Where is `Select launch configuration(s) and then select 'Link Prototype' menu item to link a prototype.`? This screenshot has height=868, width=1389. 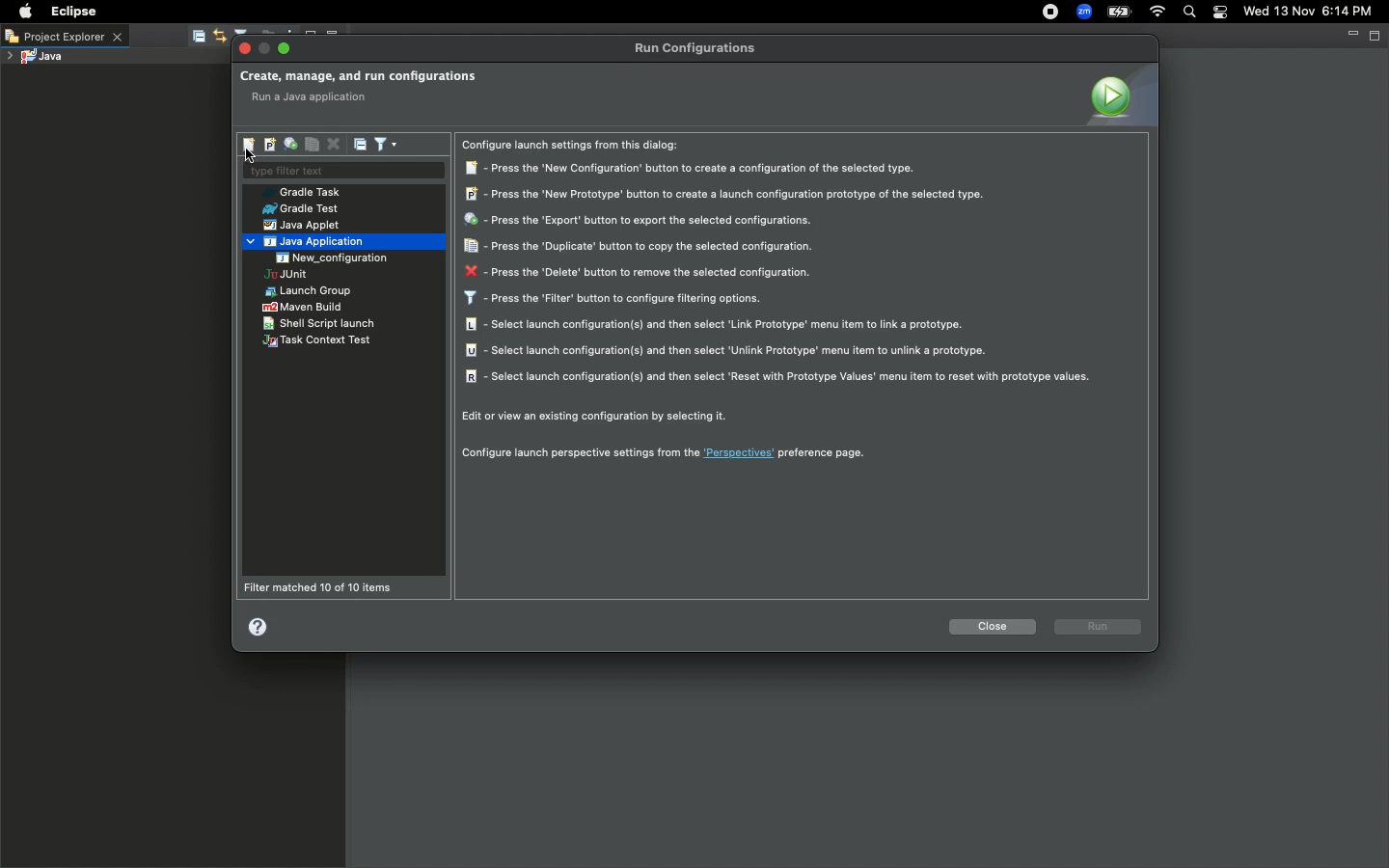 Select launch configuration(s) and then select 'Link Prototype' menu item to link a prototype. is located at coordinates (718, 327).